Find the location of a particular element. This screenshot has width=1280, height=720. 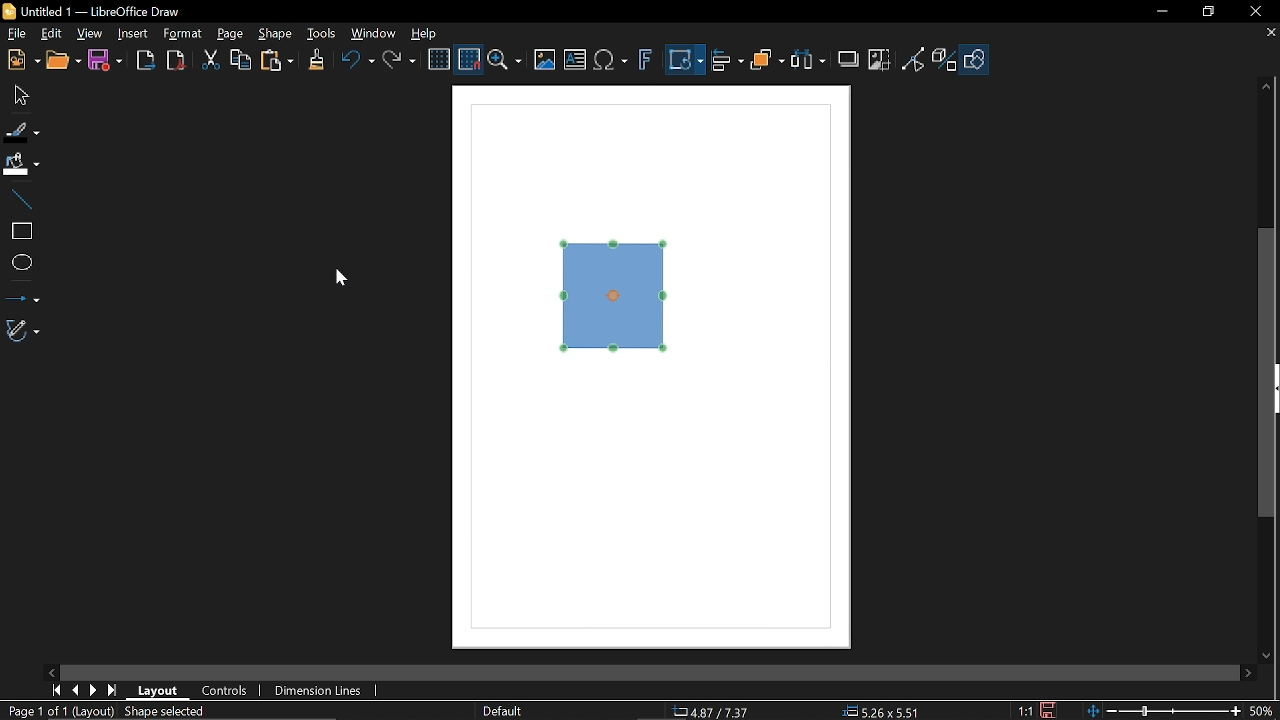

Insert equation is located at coordinates (611, 61).